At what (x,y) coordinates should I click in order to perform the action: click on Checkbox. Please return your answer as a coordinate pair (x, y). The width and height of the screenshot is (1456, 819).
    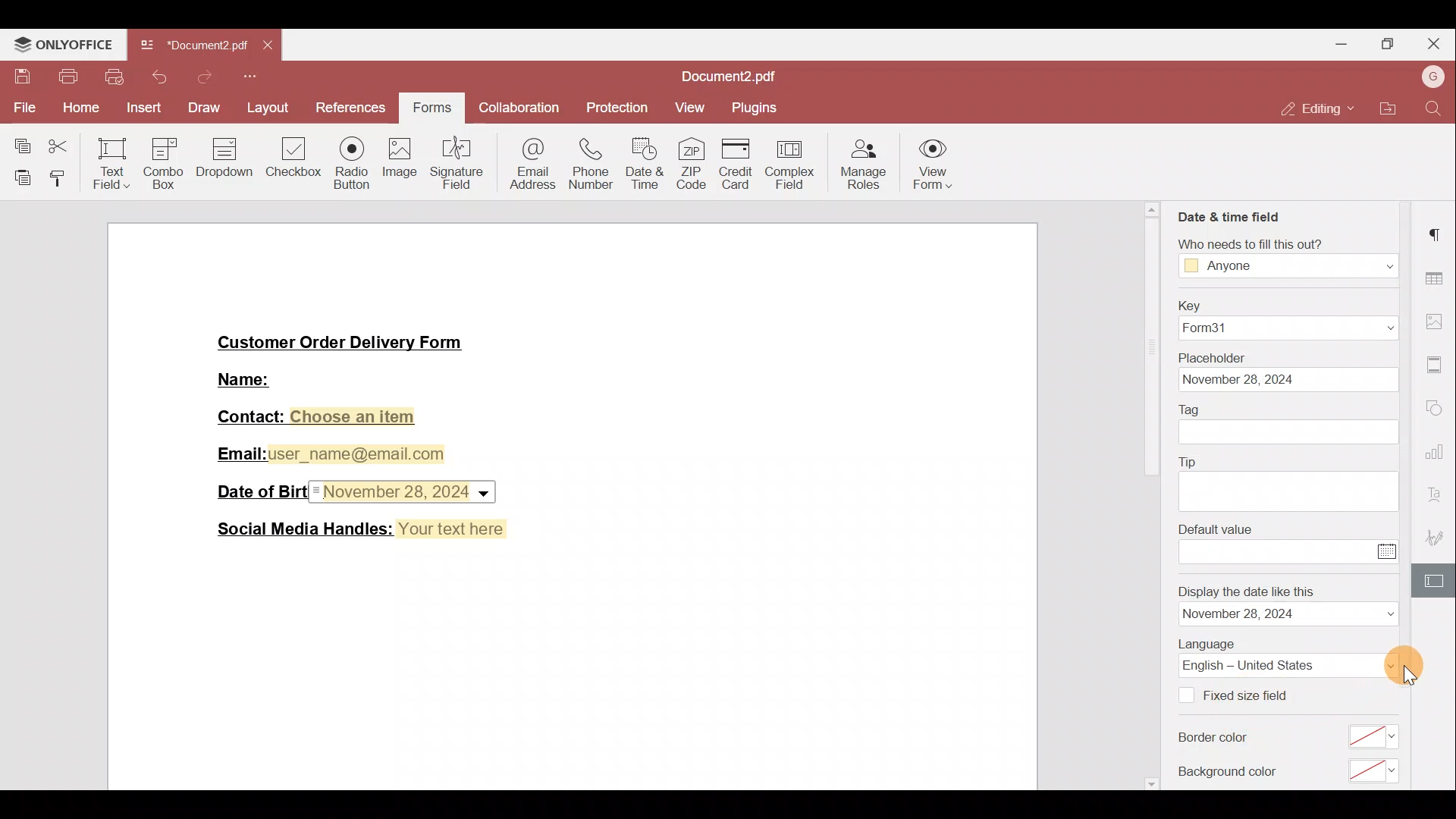
    Looking at the image, I should click on (295, 163).